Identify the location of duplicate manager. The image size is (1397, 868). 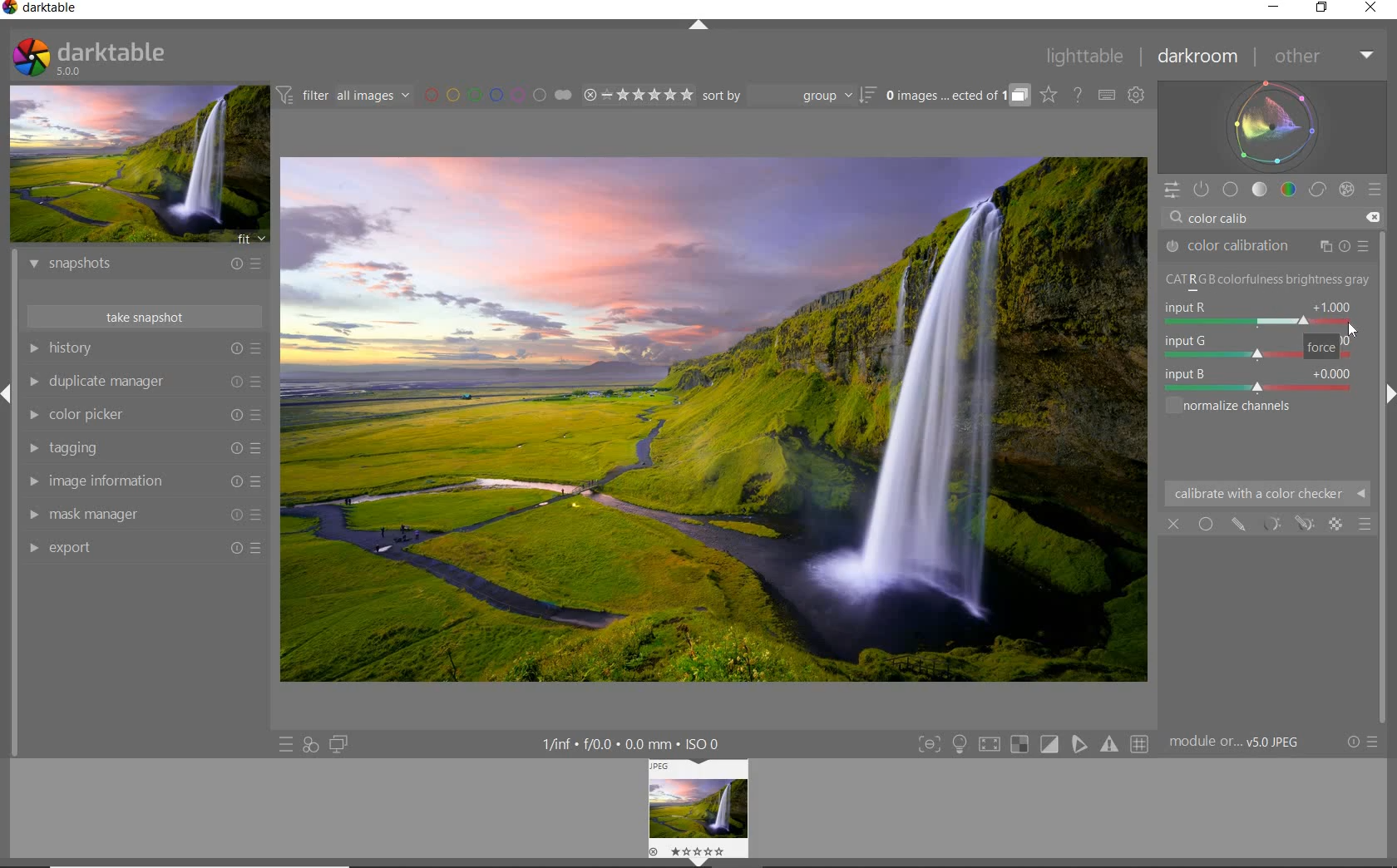
(144, 381).